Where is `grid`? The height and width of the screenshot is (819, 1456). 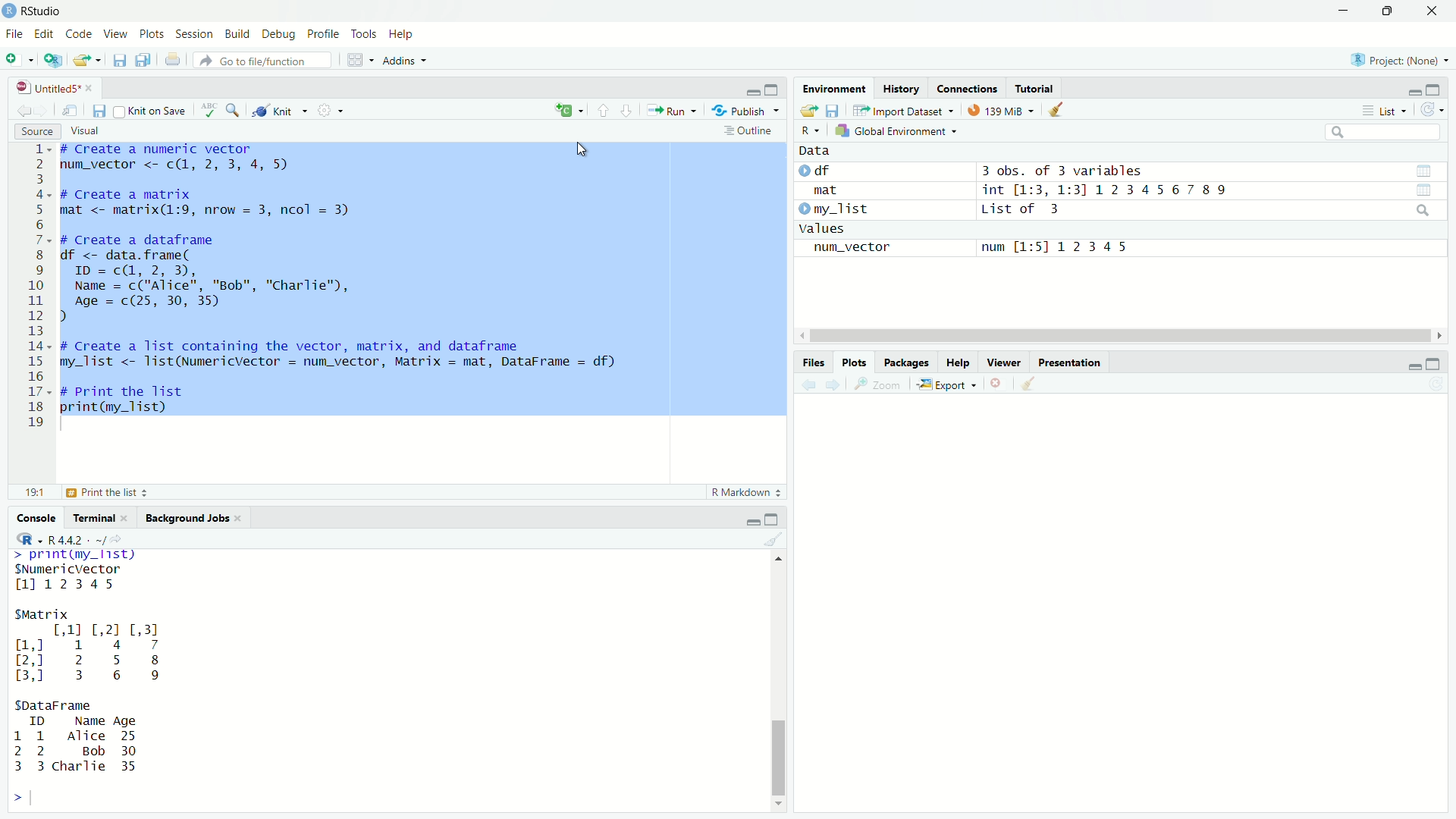
grid is located at coordinates (358, 60).